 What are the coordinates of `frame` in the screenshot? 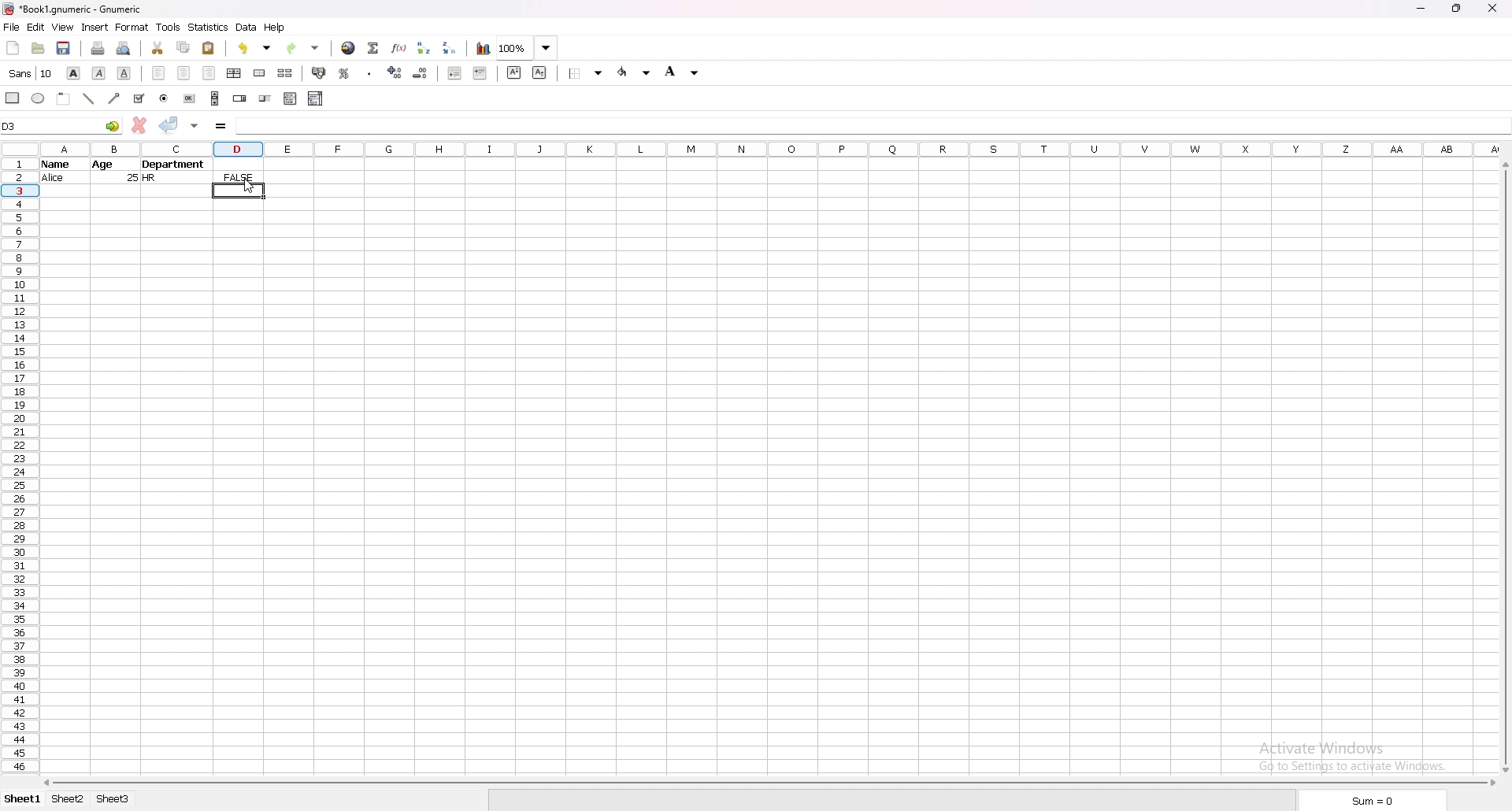 It's located at (66, 99).